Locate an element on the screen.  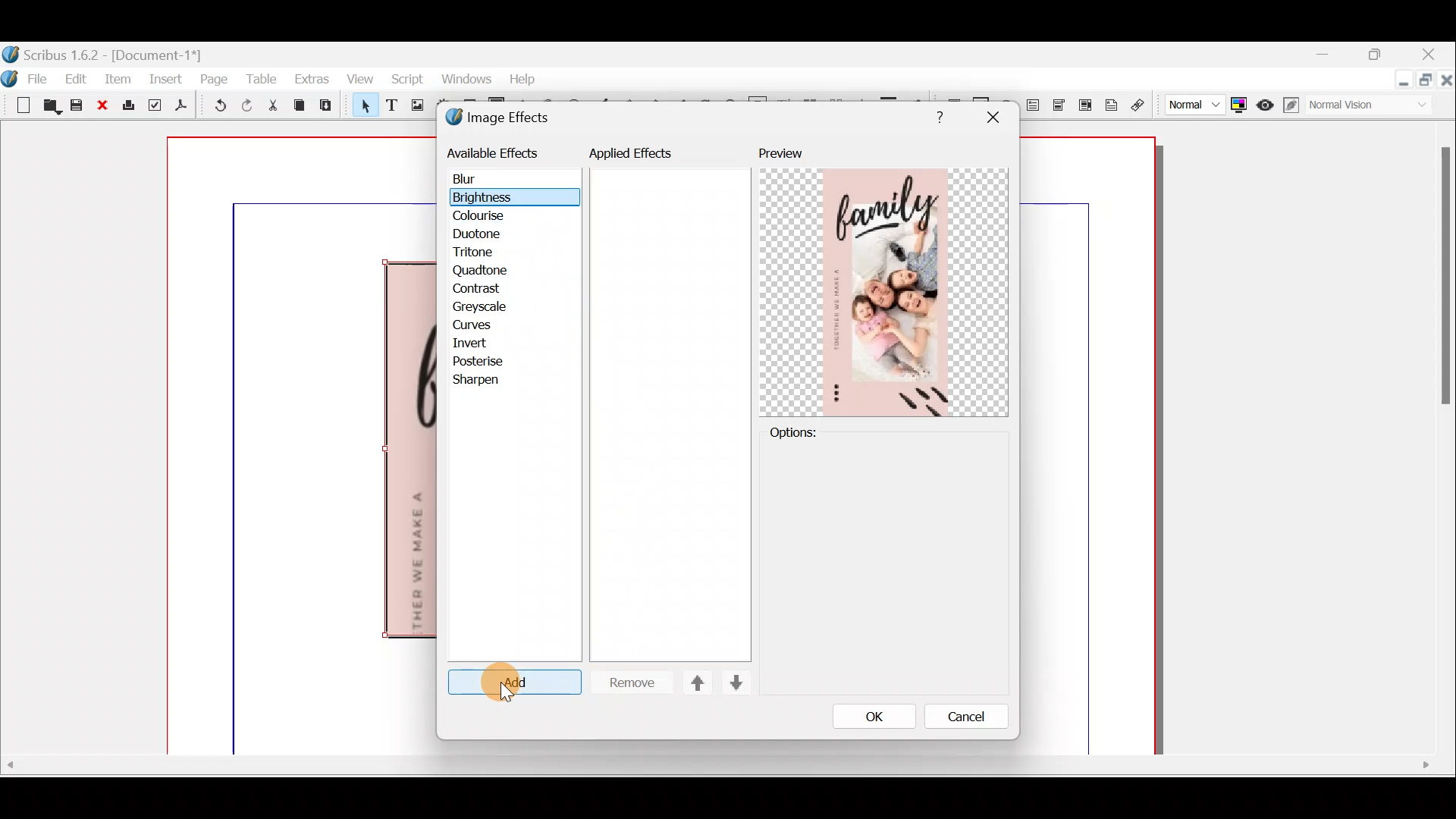
Page is located at coordinates (215, 78).